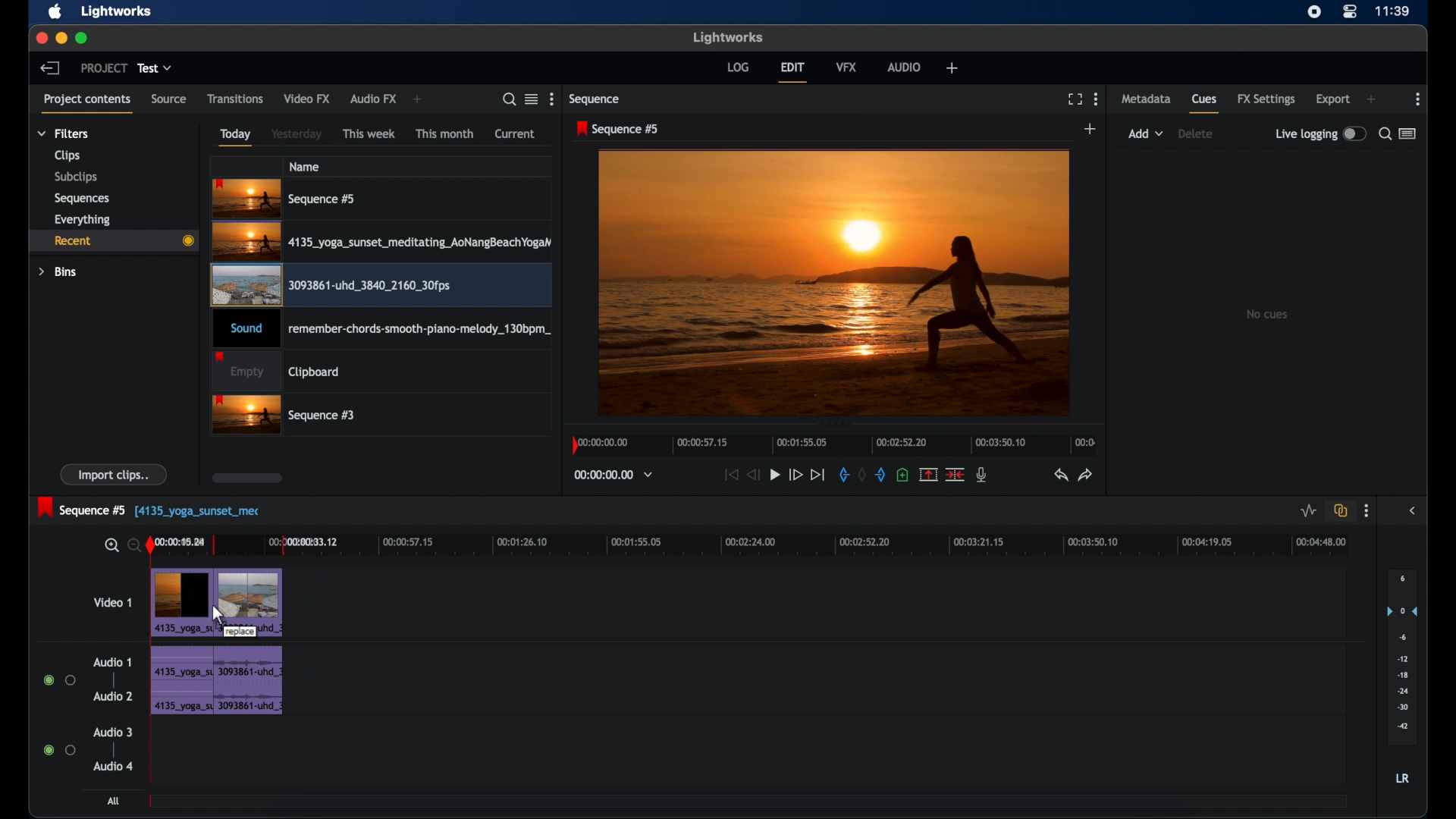 The height and width of the screenshot is (819, 1456). I want to click on video clip, so click(182, 602).